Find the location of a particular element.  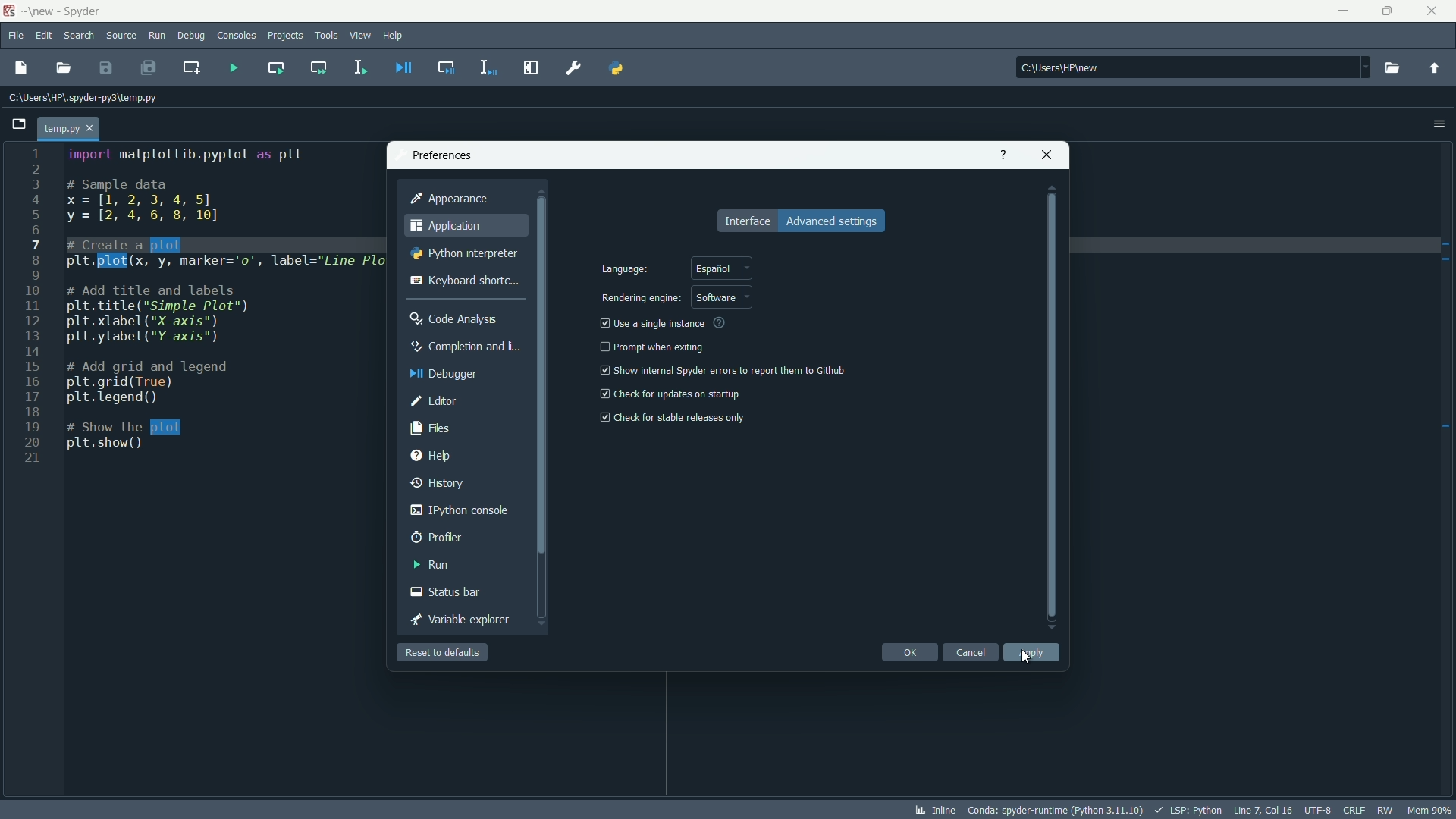

check for stable release only is located at coordinates (680, 418).